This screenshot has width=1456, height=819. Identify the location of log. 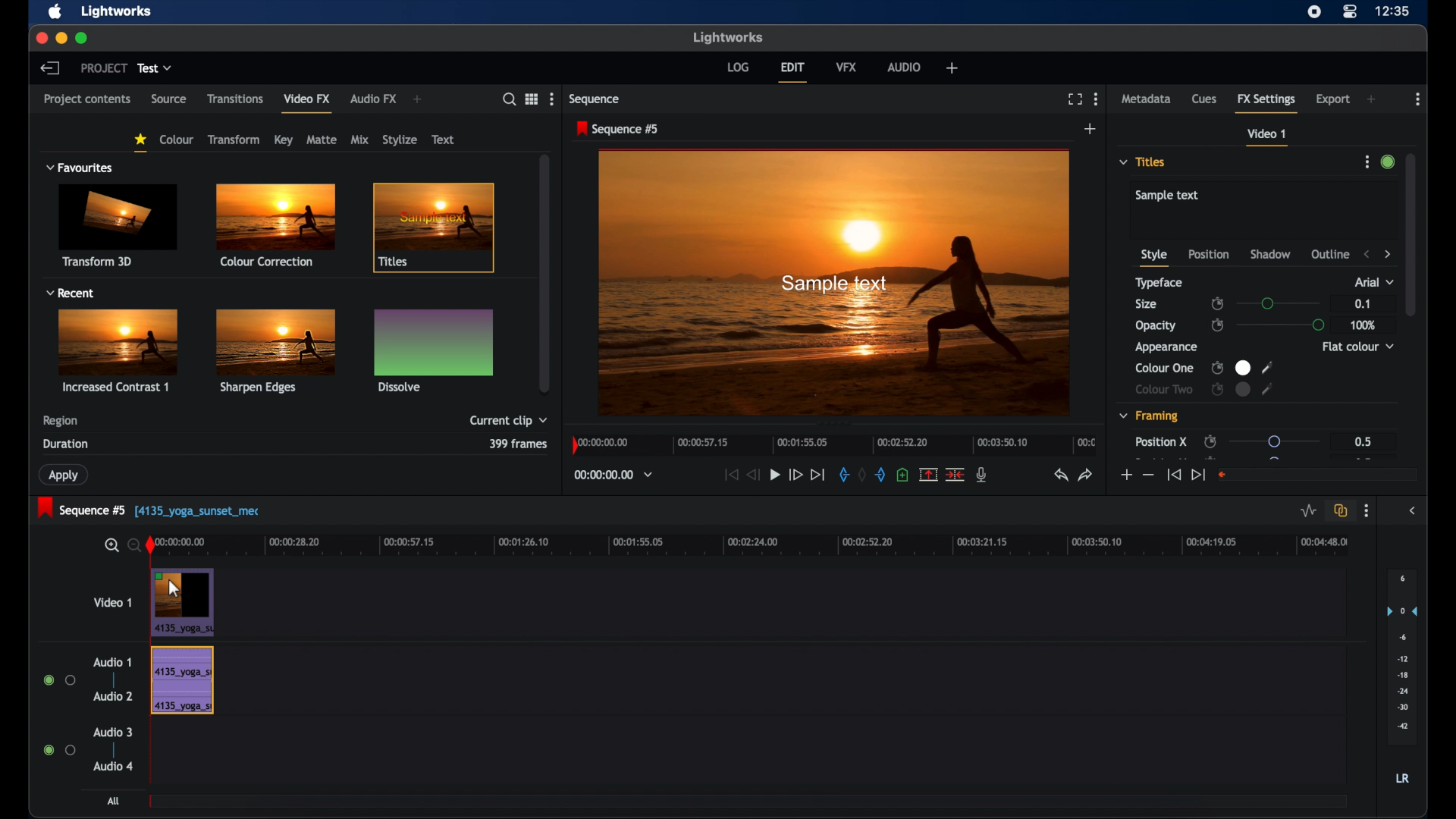
(738, 67).